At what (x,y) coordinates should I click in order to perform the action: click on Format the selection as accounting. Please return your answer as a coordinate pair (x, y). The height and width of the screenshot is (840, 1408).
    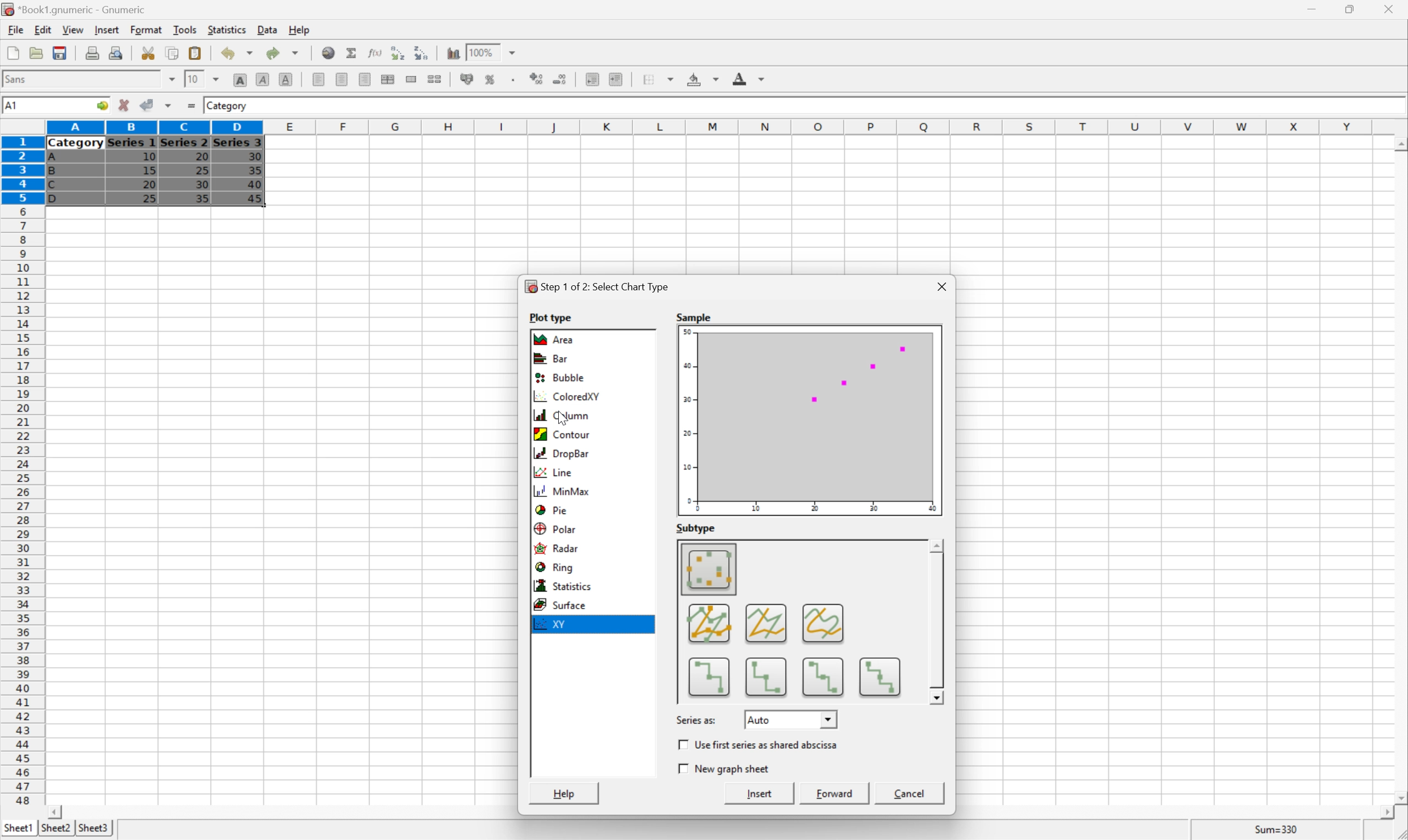
    Looking at the image, I should click on (462, 78).